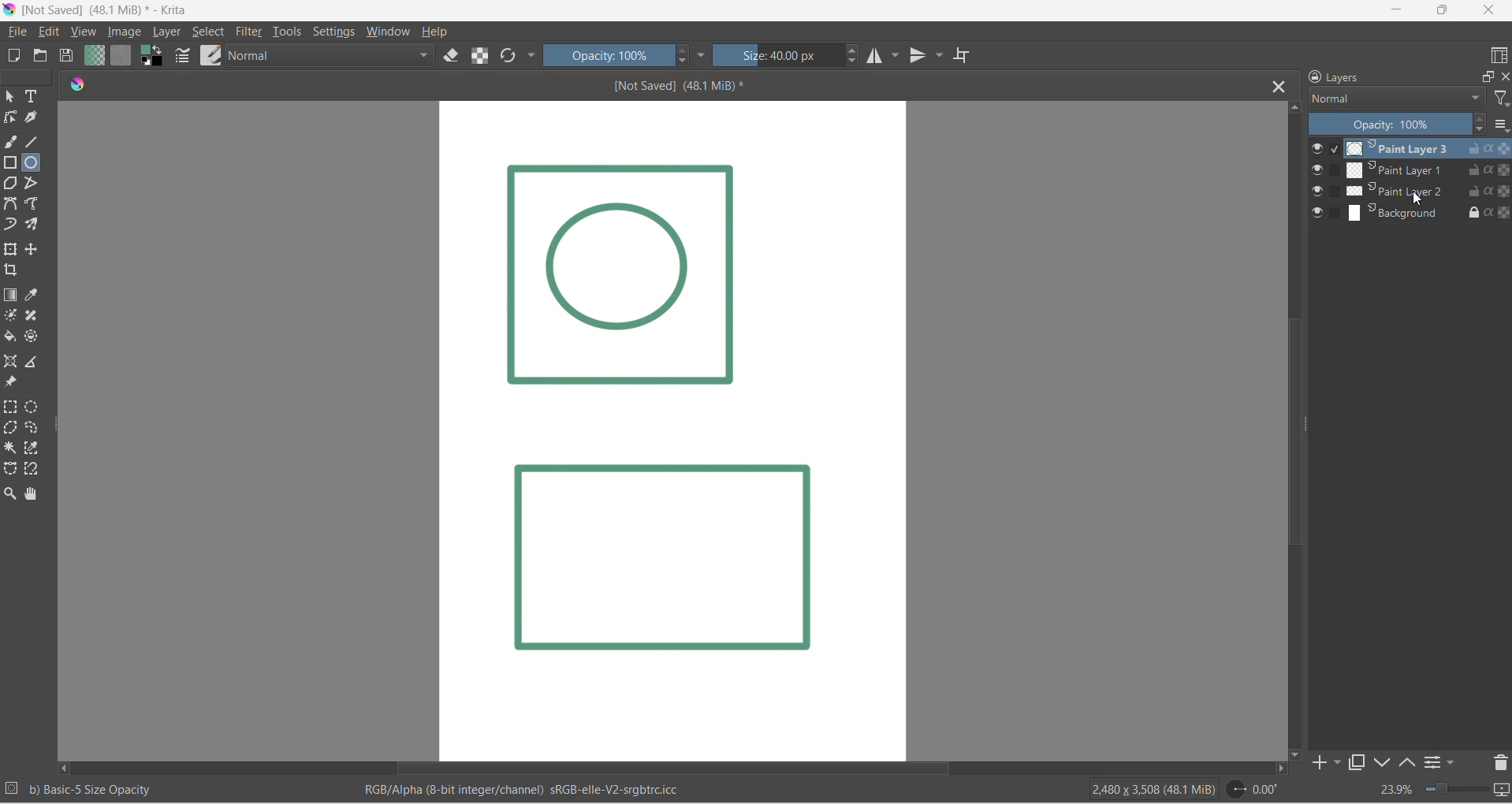 This screenshot has width=1512, height=804. I want to click on layer, so click(173, 33).